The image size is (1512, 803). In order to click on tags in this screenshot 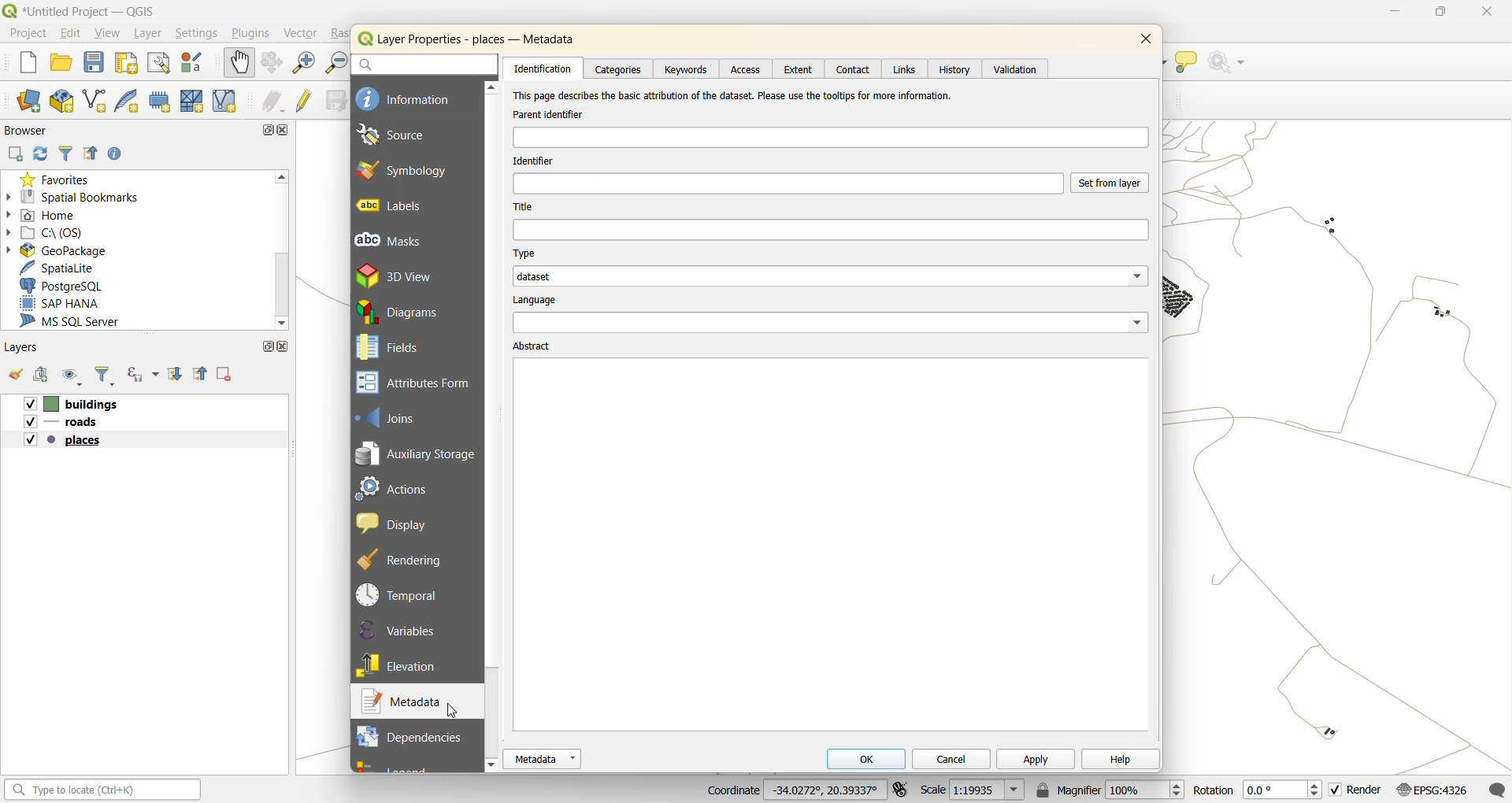, I will do `click(831, 278)`.